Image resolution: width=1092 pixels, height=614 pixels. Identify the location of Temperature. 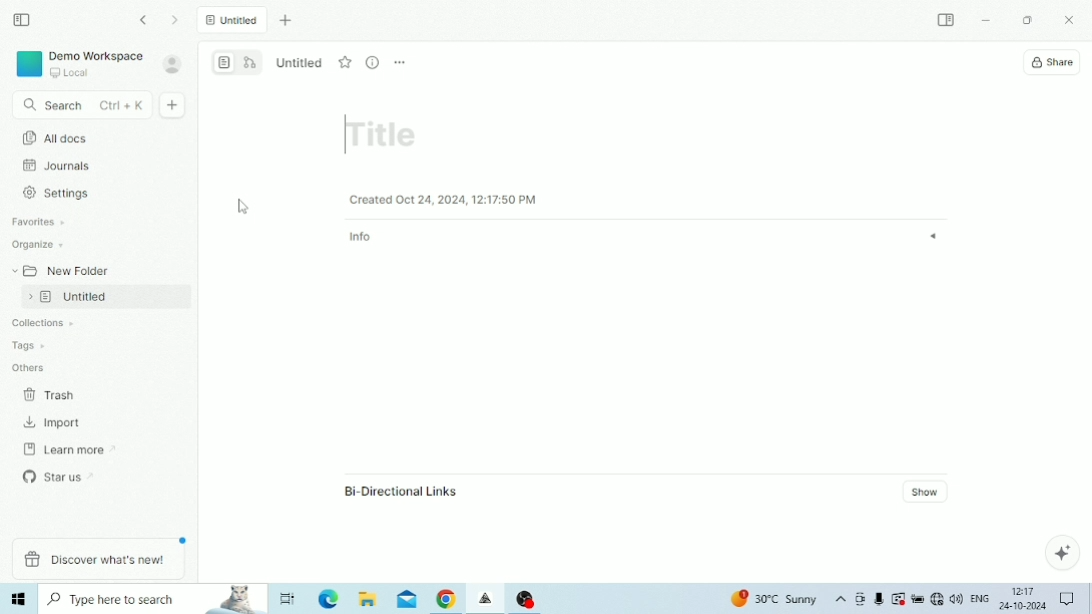
(776, 599).